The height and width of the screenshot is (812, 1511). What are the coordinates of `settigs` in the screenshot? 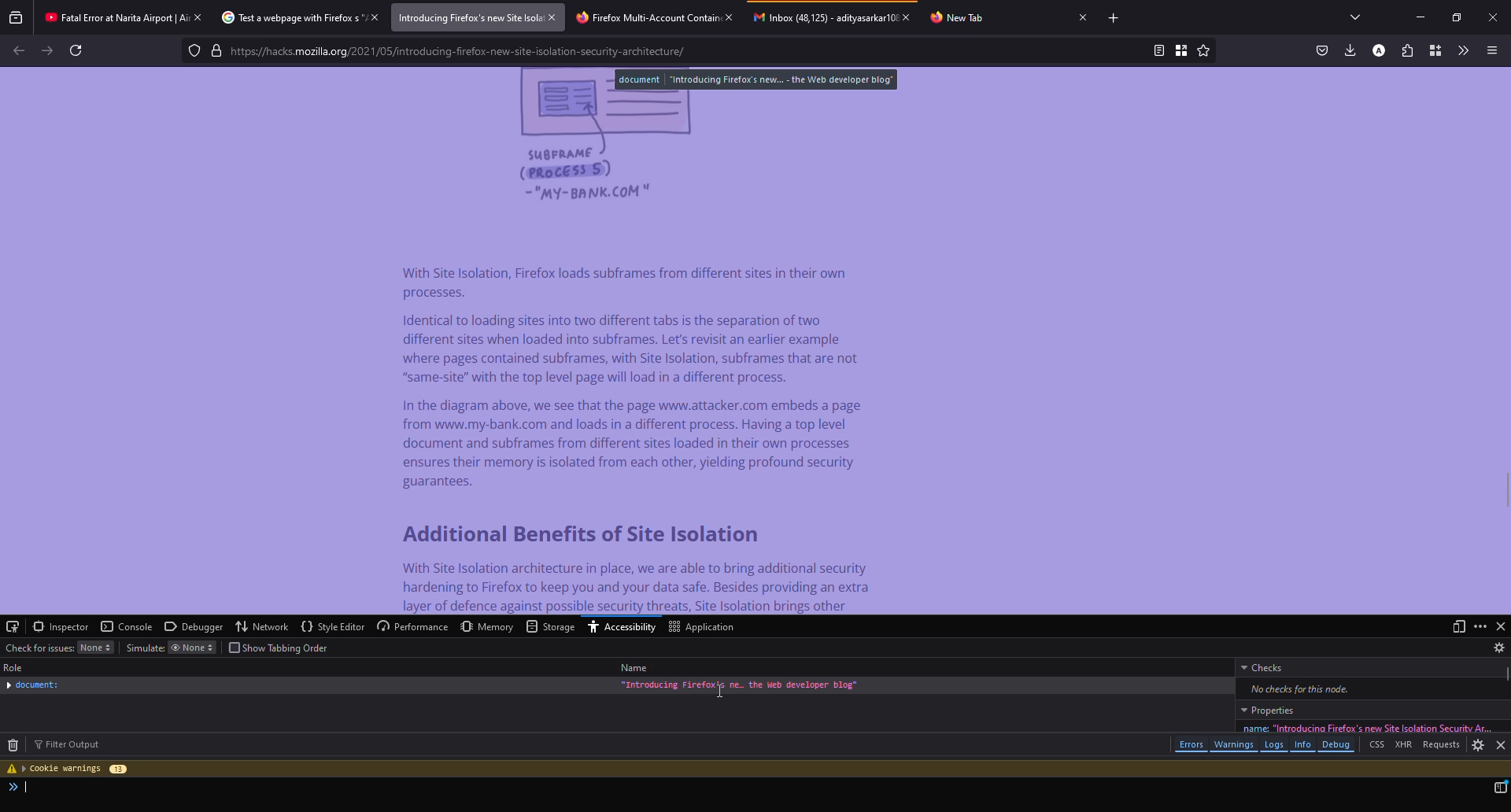 It's located at (1478, 746).